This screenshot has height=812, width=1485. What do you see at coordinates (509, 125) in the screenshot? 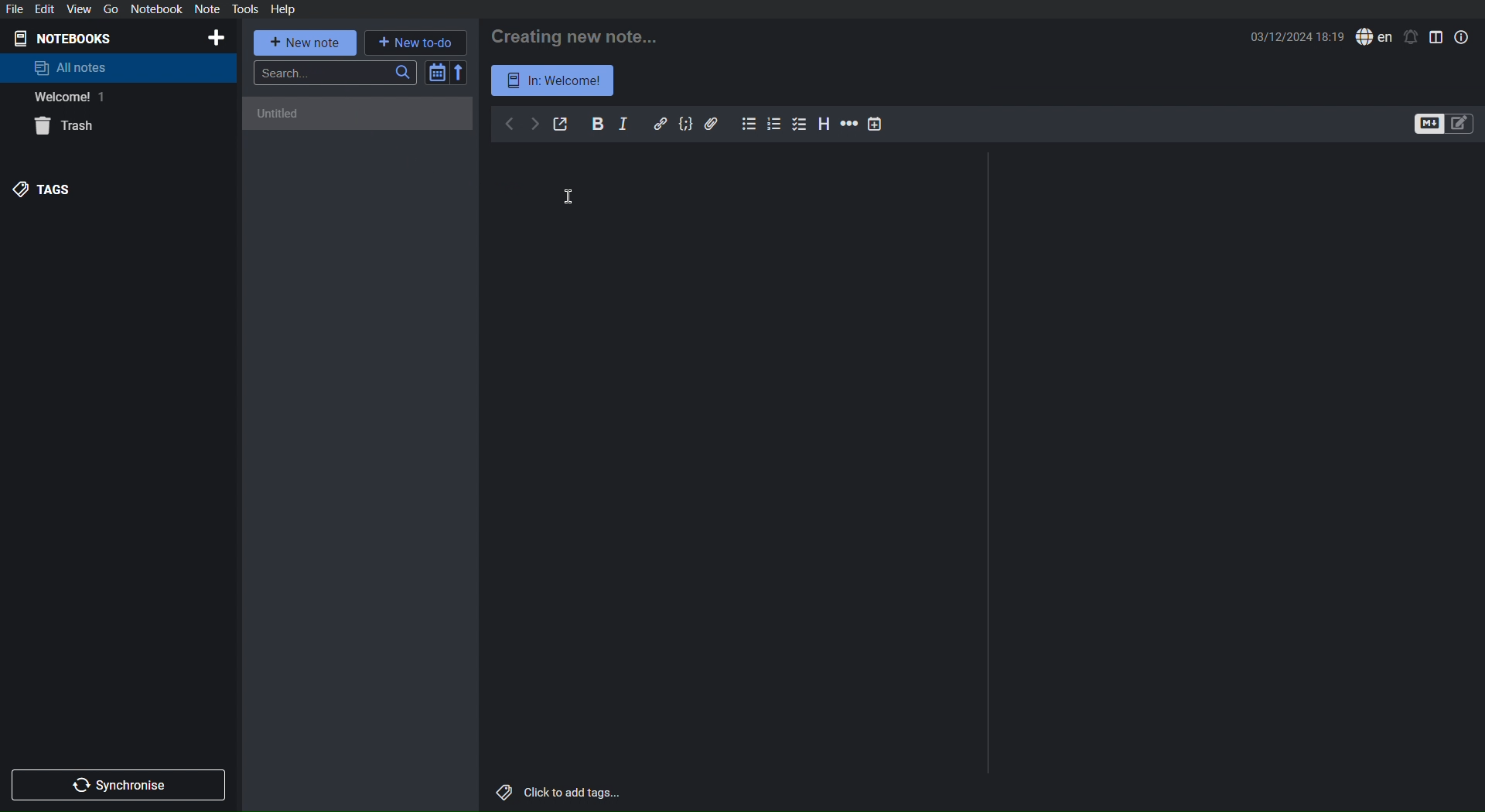
I see `Undo` at bounding box center [509, 125].